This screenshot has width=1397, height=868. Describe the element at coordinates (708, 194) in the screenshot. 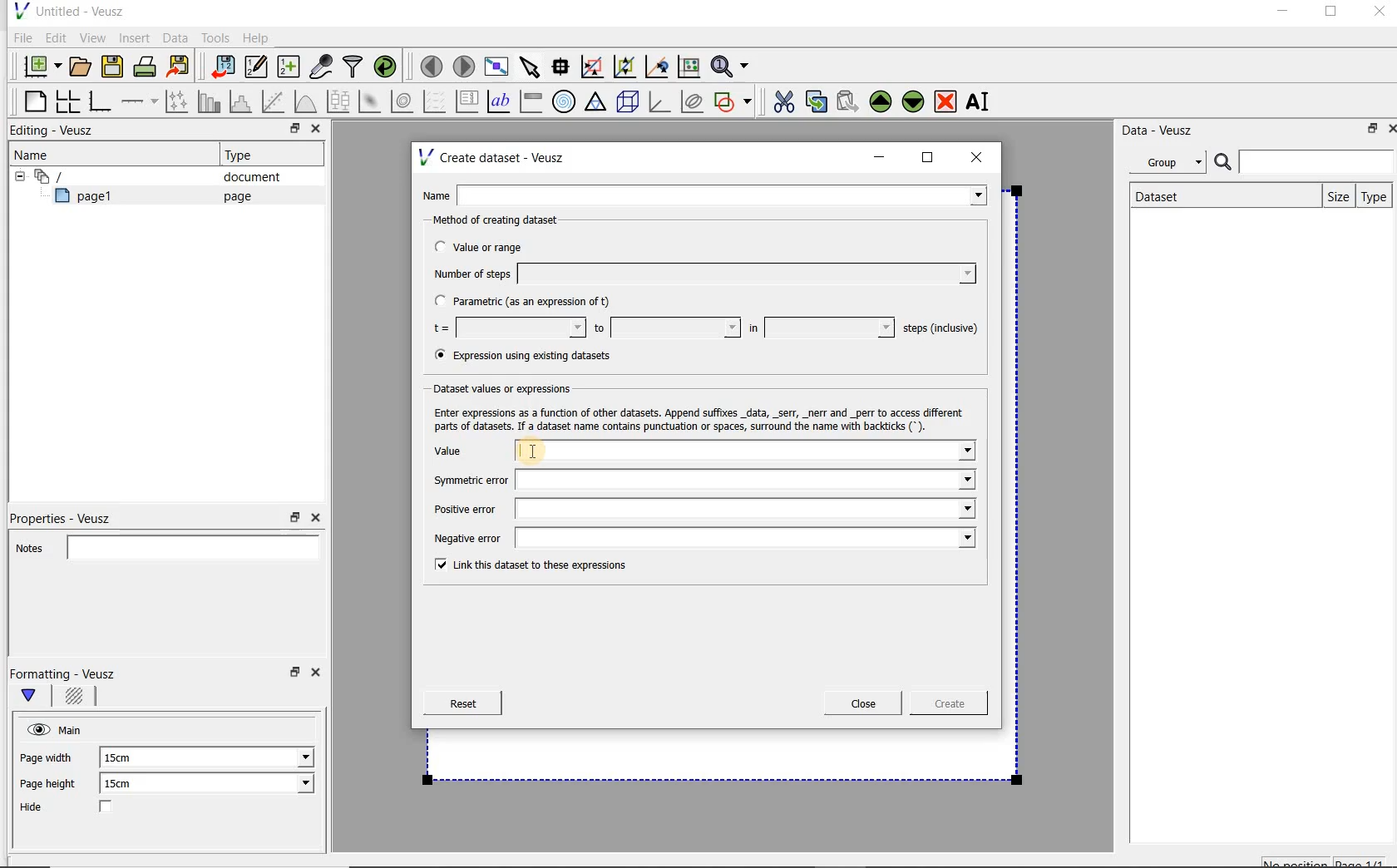

I see `Name` at that location.